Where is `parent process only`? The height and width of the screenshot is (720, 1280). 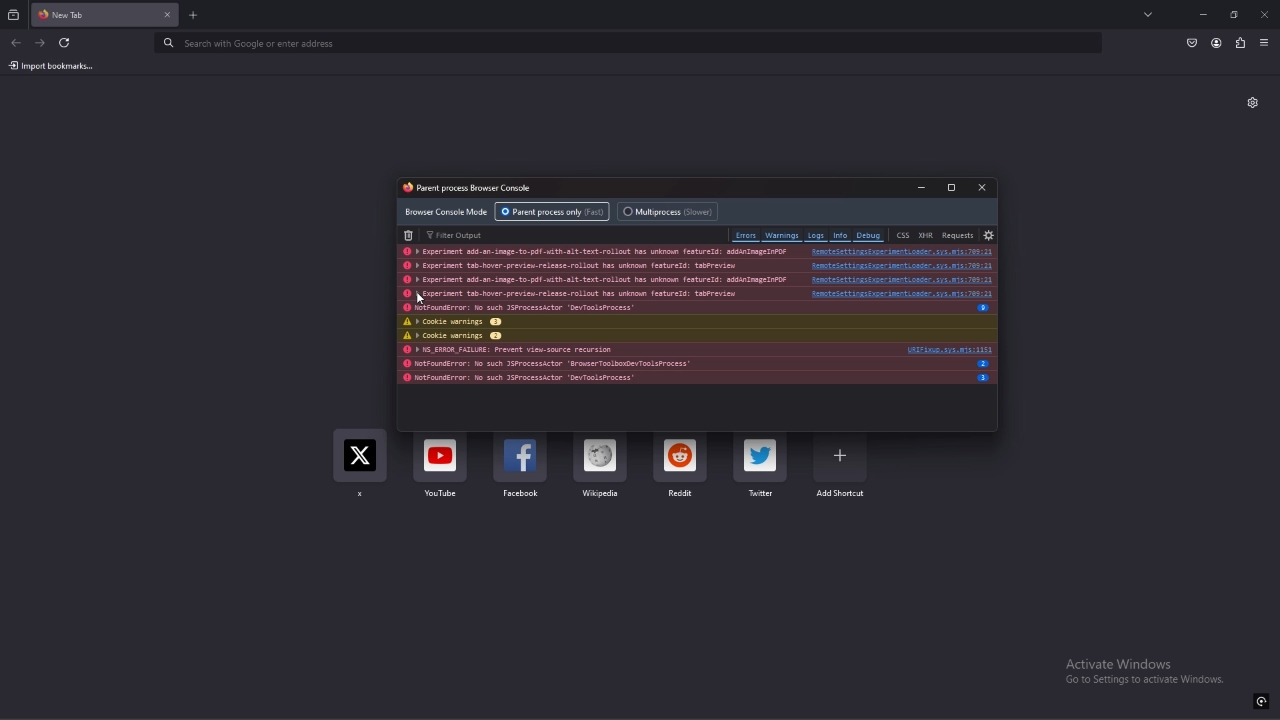
parent process only is located at coordinates (552, 211).